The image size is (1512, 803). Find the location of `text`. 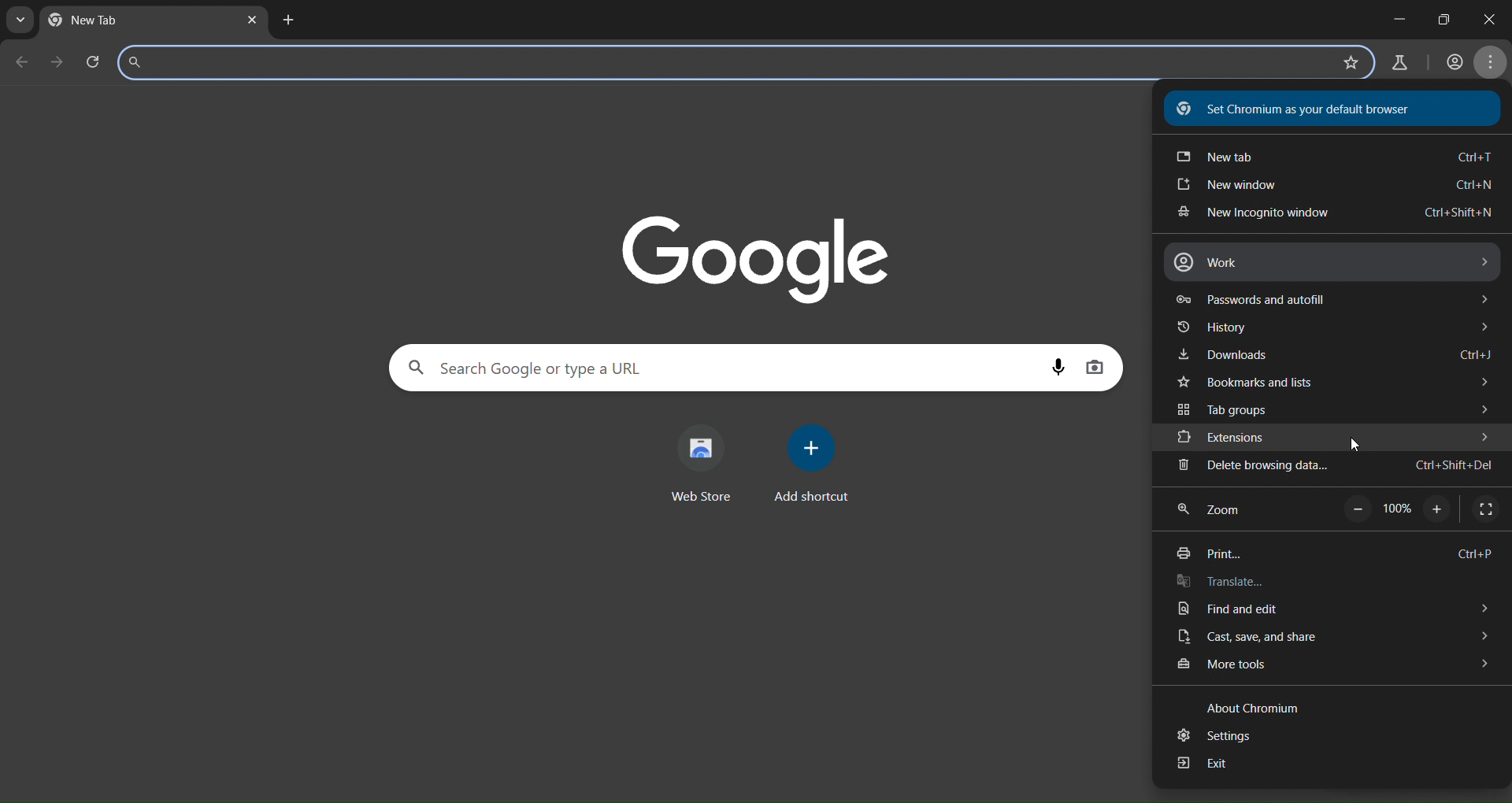

text is located at coordinates (1313, 111).